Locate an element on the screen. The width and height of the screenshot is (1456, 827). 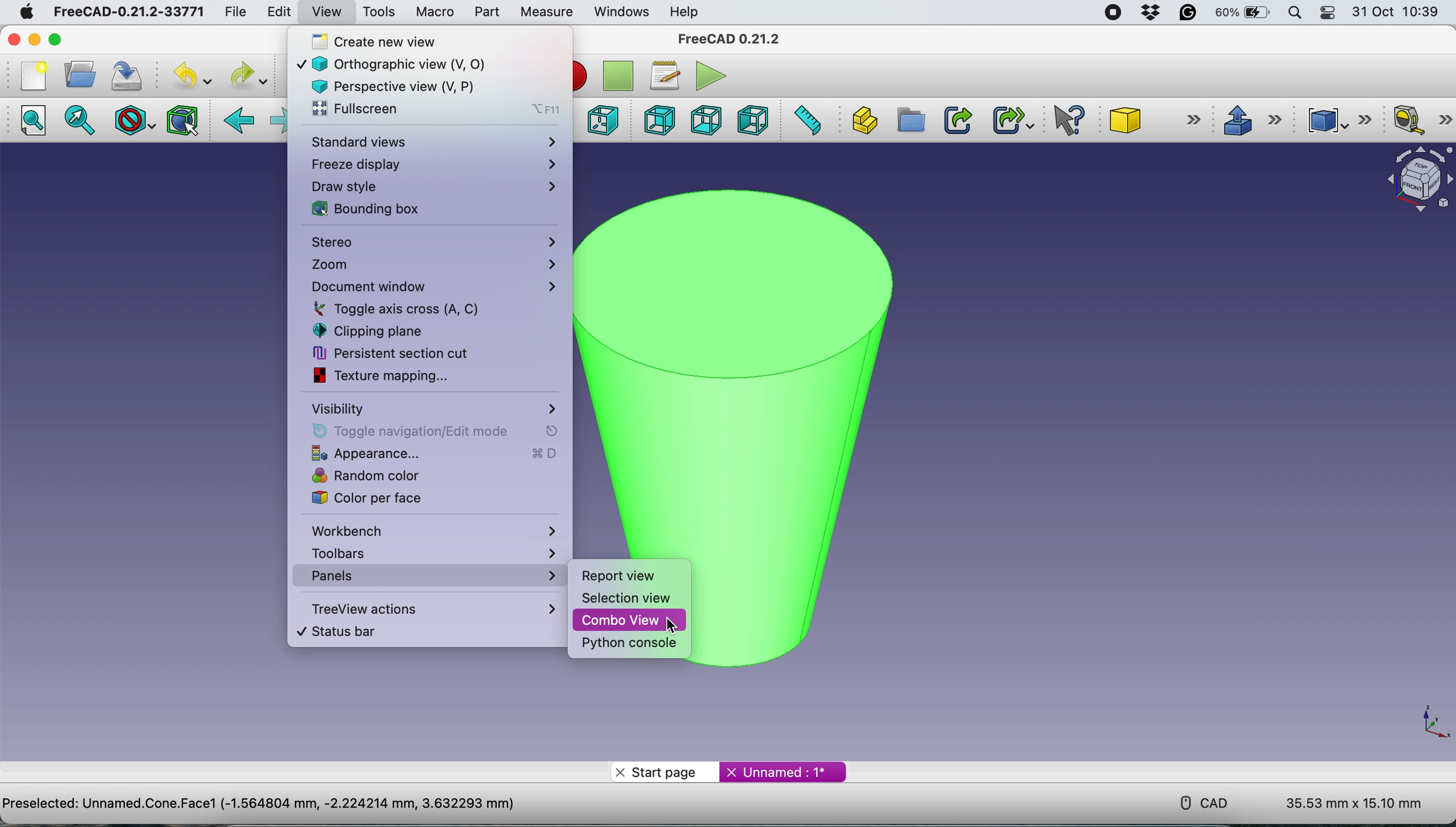
measure is located at coordinates (546, 12).